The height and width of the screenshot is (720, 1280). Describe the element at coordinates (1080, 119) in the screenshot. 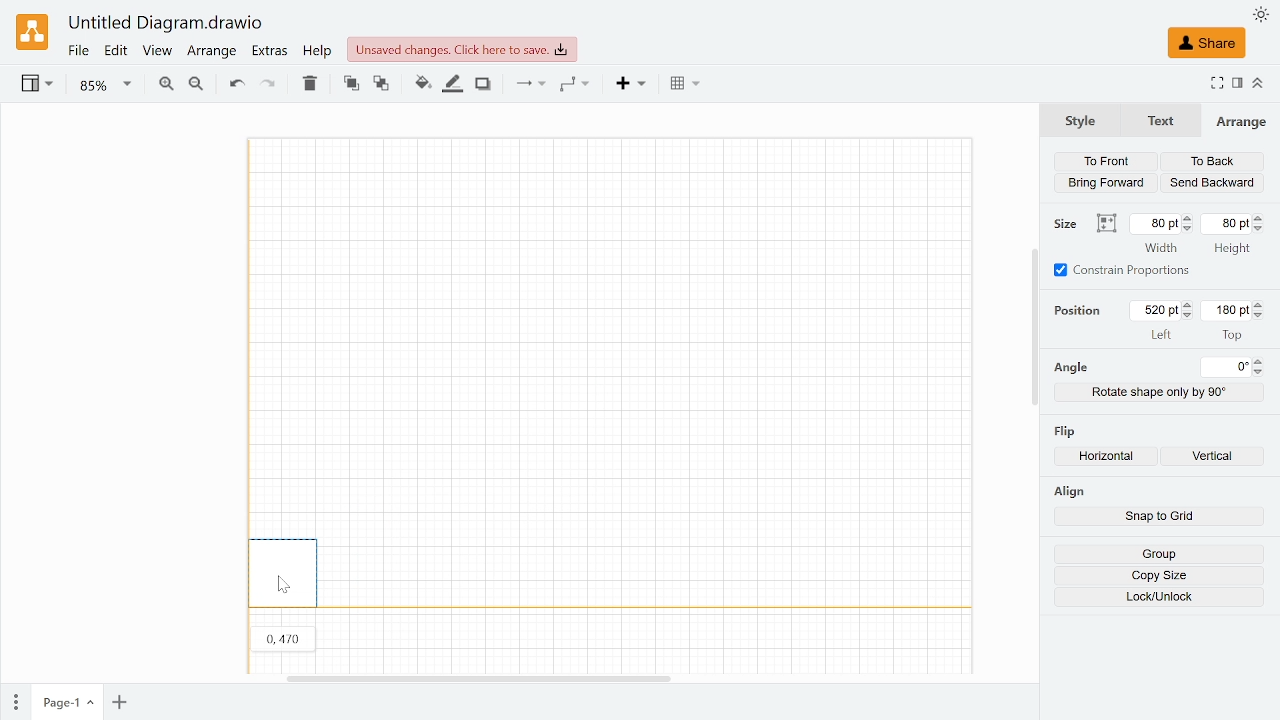

I see `Style` at that location.